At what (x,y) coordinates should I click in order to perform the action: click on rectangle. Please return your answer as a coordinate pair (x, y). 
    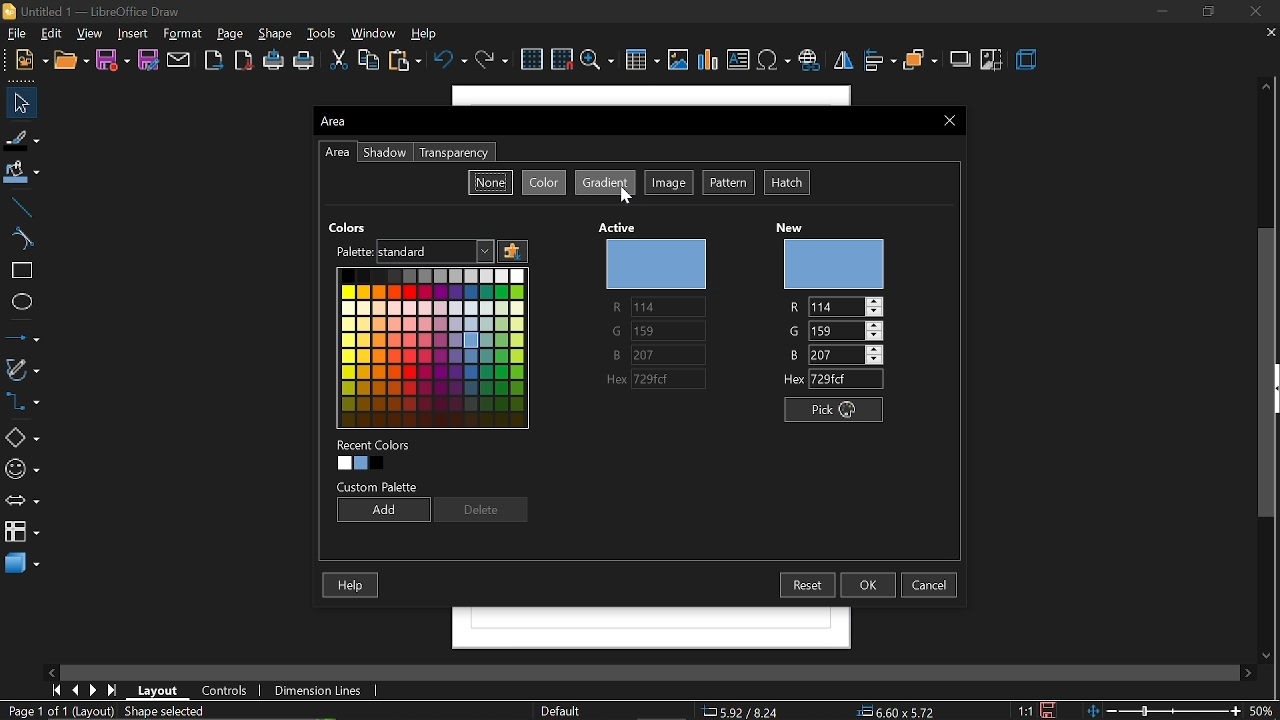
    Looking at the image, I should click on (19, 271).